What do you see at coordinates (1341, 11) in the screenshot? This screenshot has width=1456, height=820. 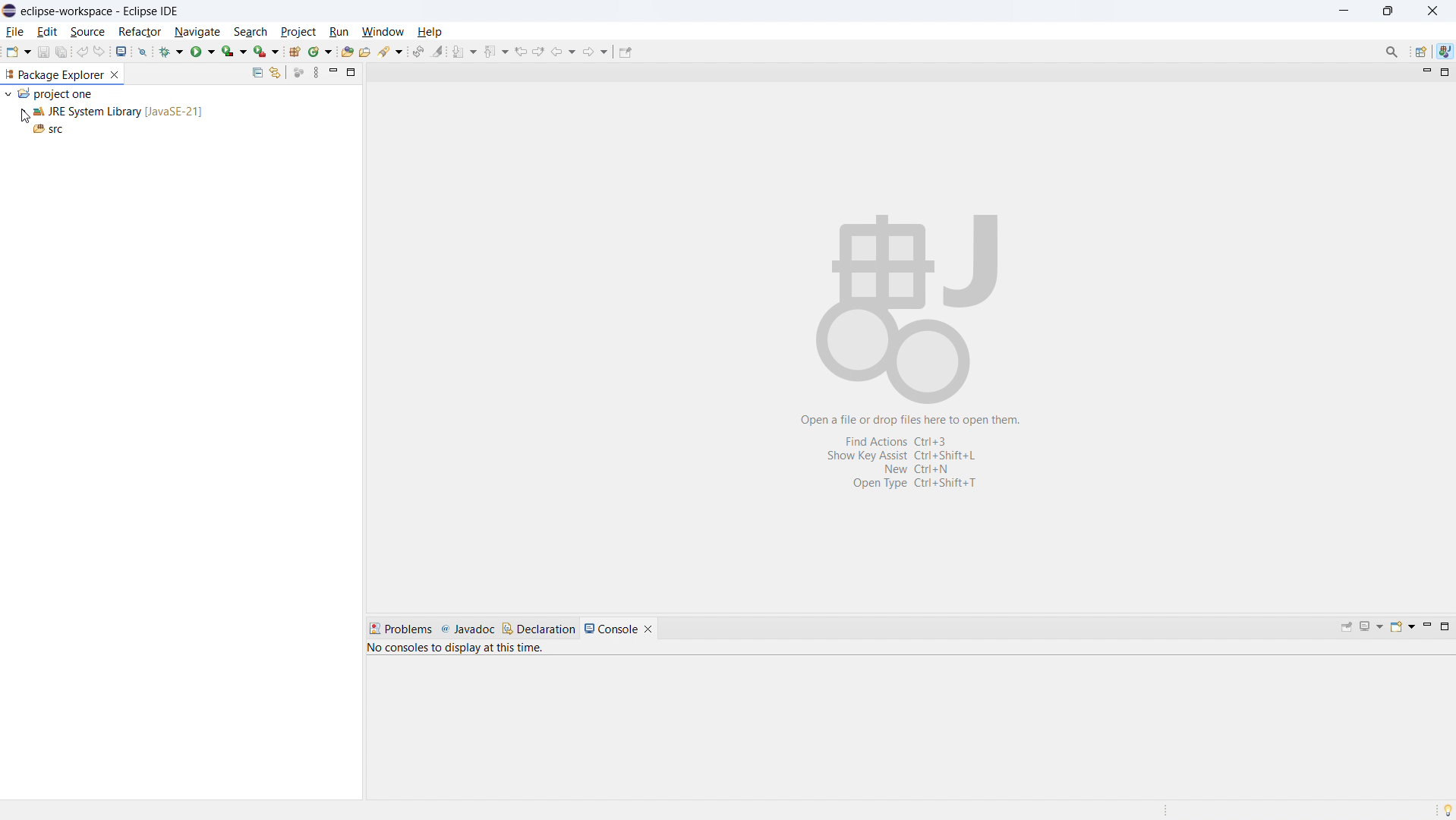 I see `minimize` at bounding box center [1341, 11].